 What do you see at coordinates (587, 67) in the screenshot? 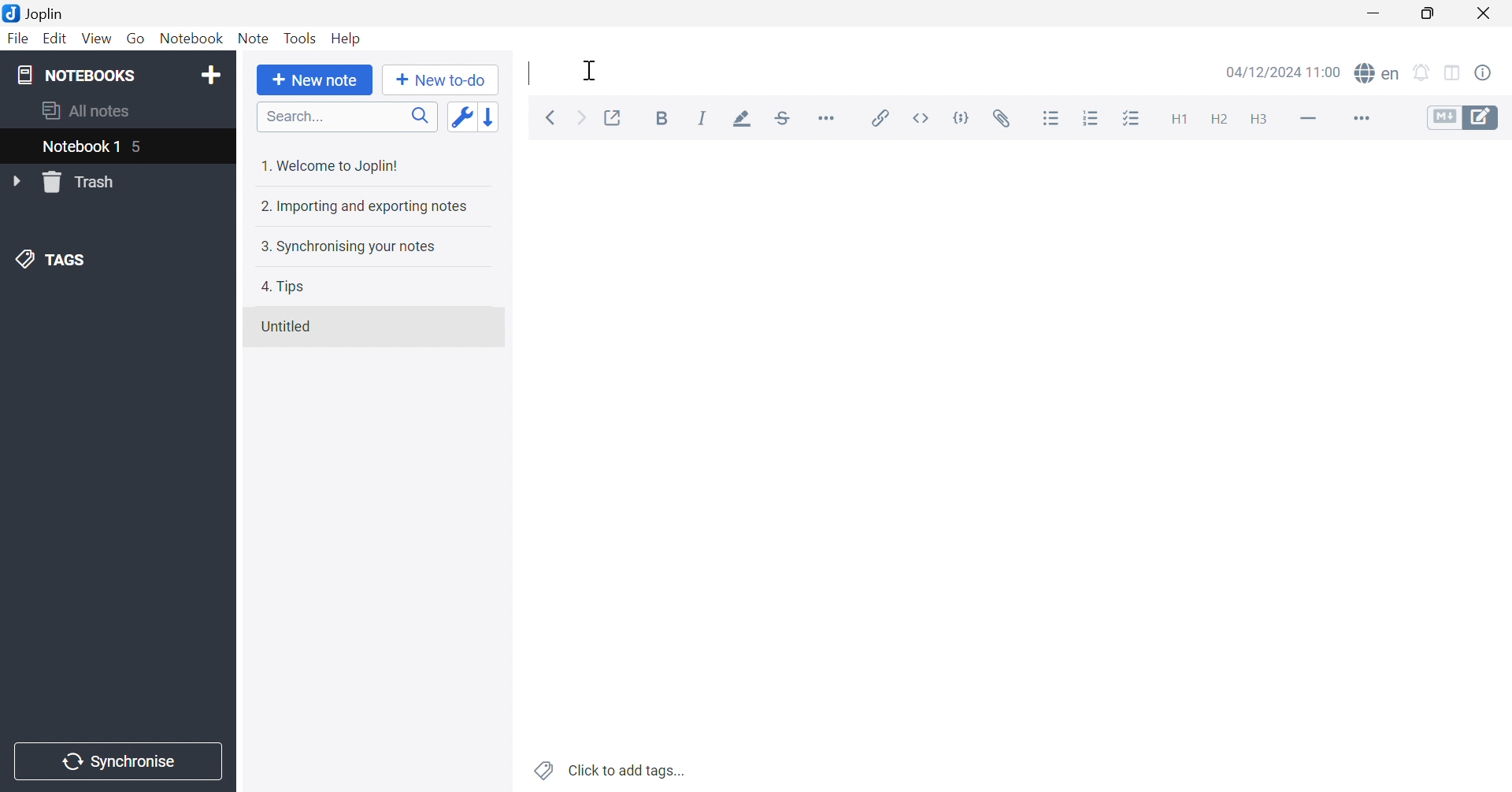
I see `` at bounding box center [587, 67].